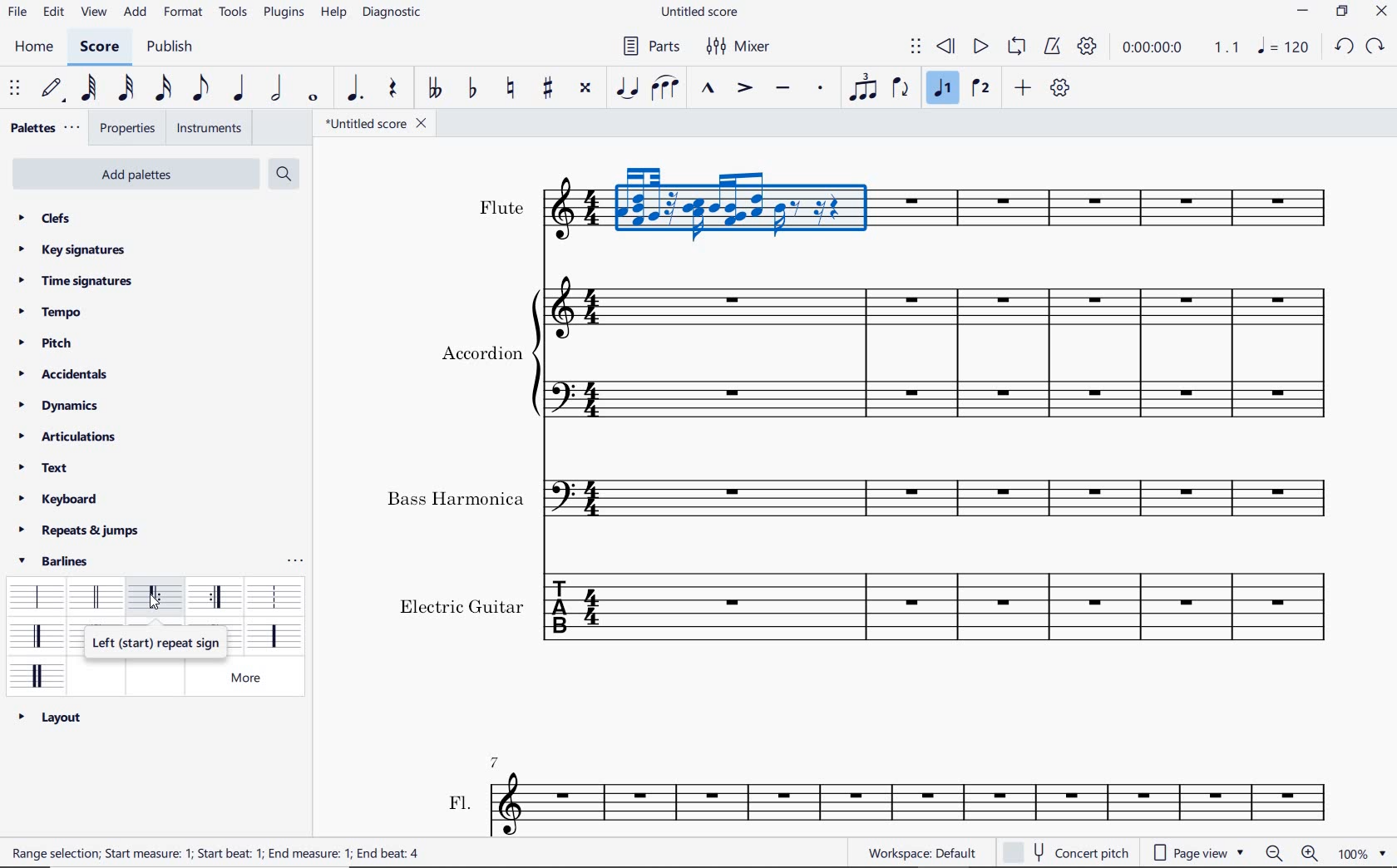 This screenshot has height=868, width=1397. Describe the element at coordinates (50, 717) in the screenshot. I see `layout` at that location.